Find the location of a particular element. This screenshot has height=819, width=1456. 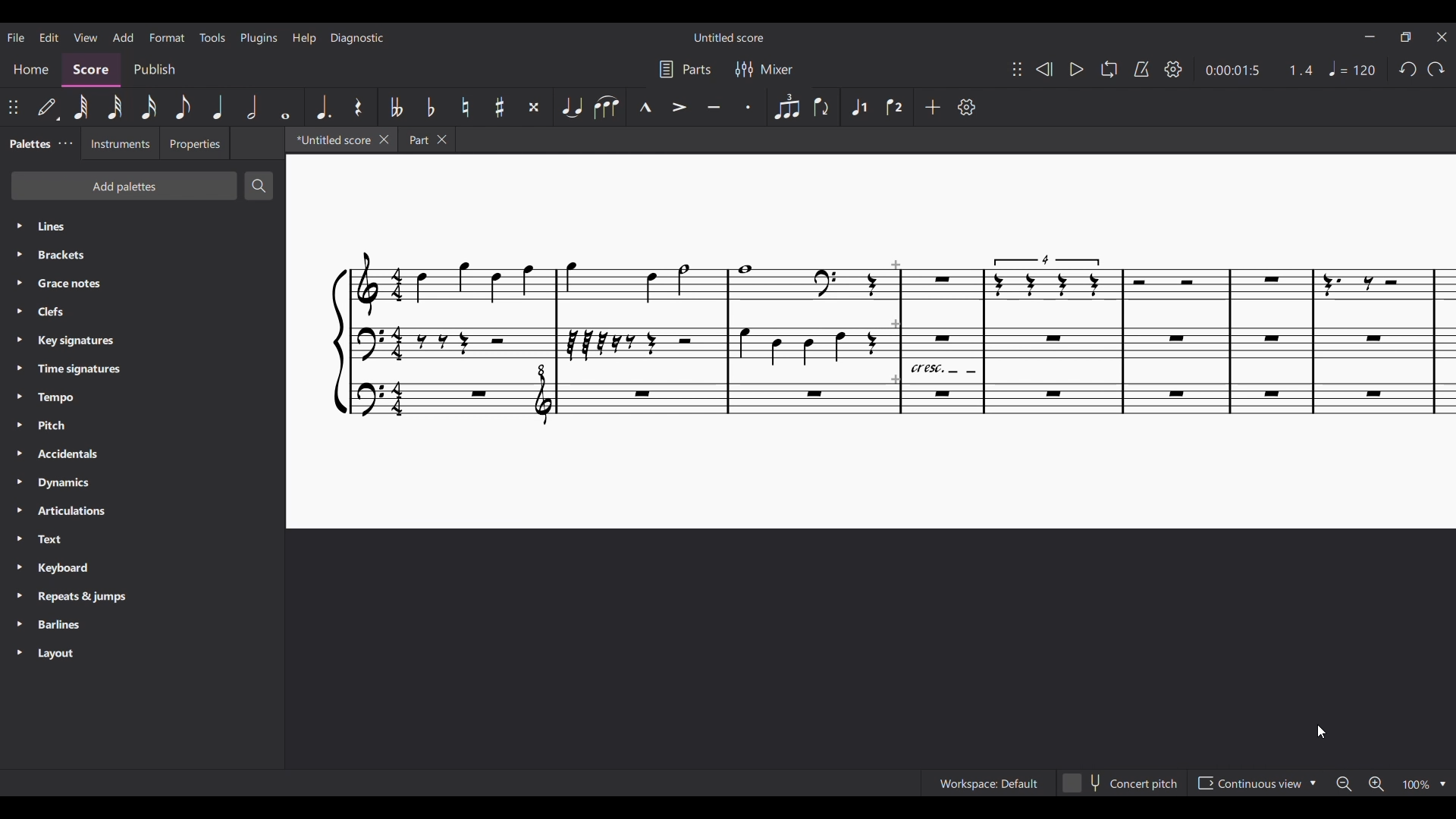

Change position of toolbar attached  is located at coordinates (1017, 68).